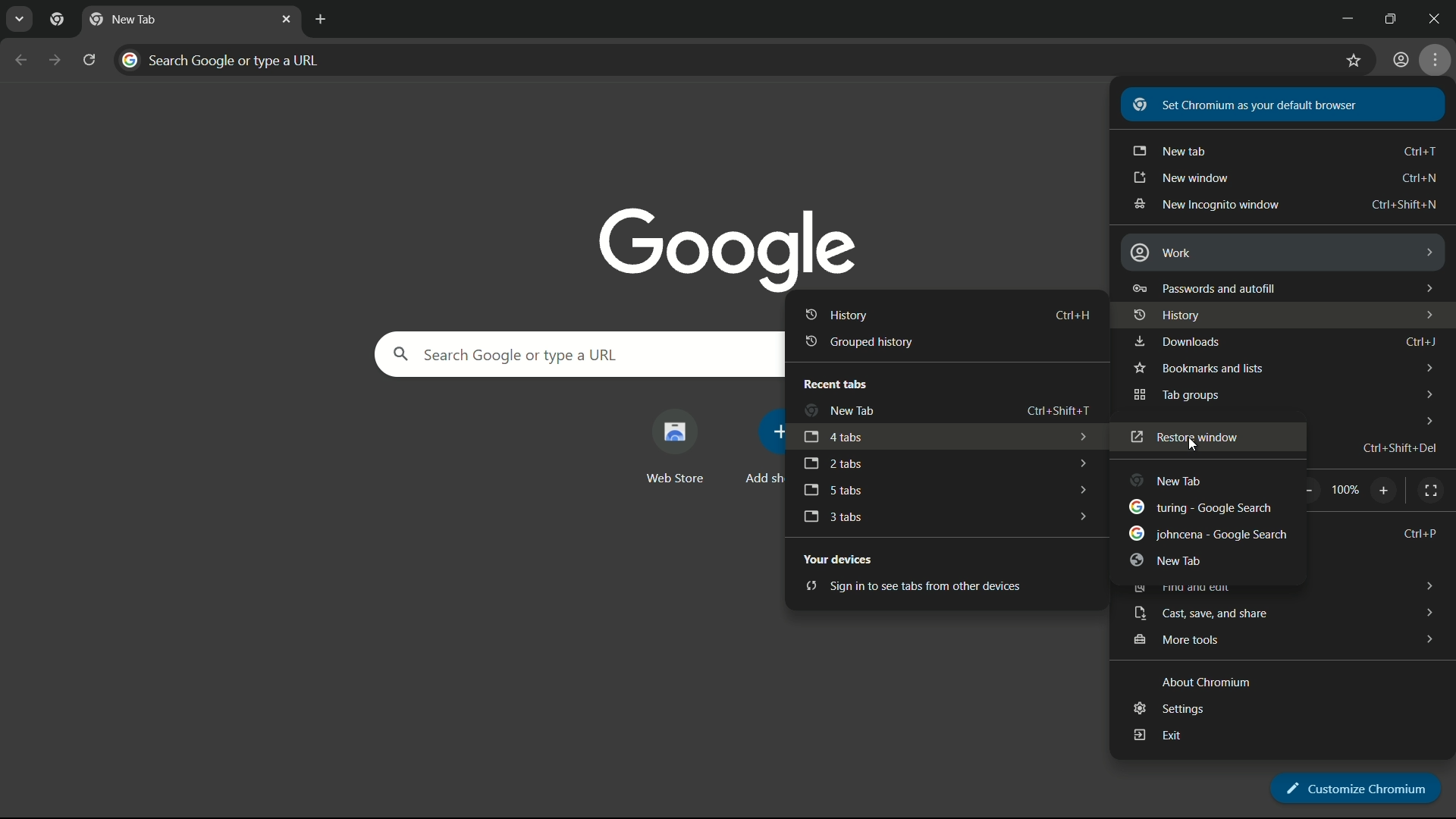  What do you see at coordinates (1195, 506) in the screenshot?
I see `turing search tab` at bounding box center [1195, 506].